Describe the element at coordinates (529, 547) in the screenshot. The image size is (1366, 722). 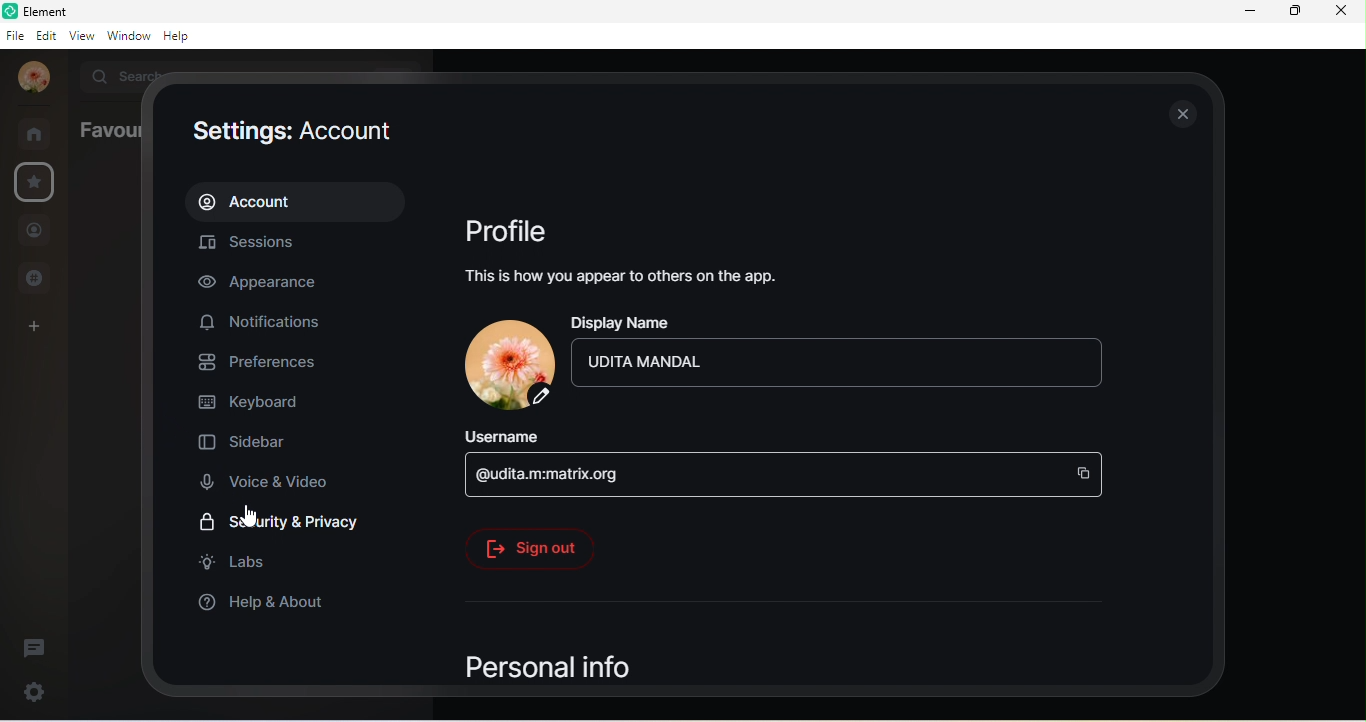
I see `sign out` at that location.